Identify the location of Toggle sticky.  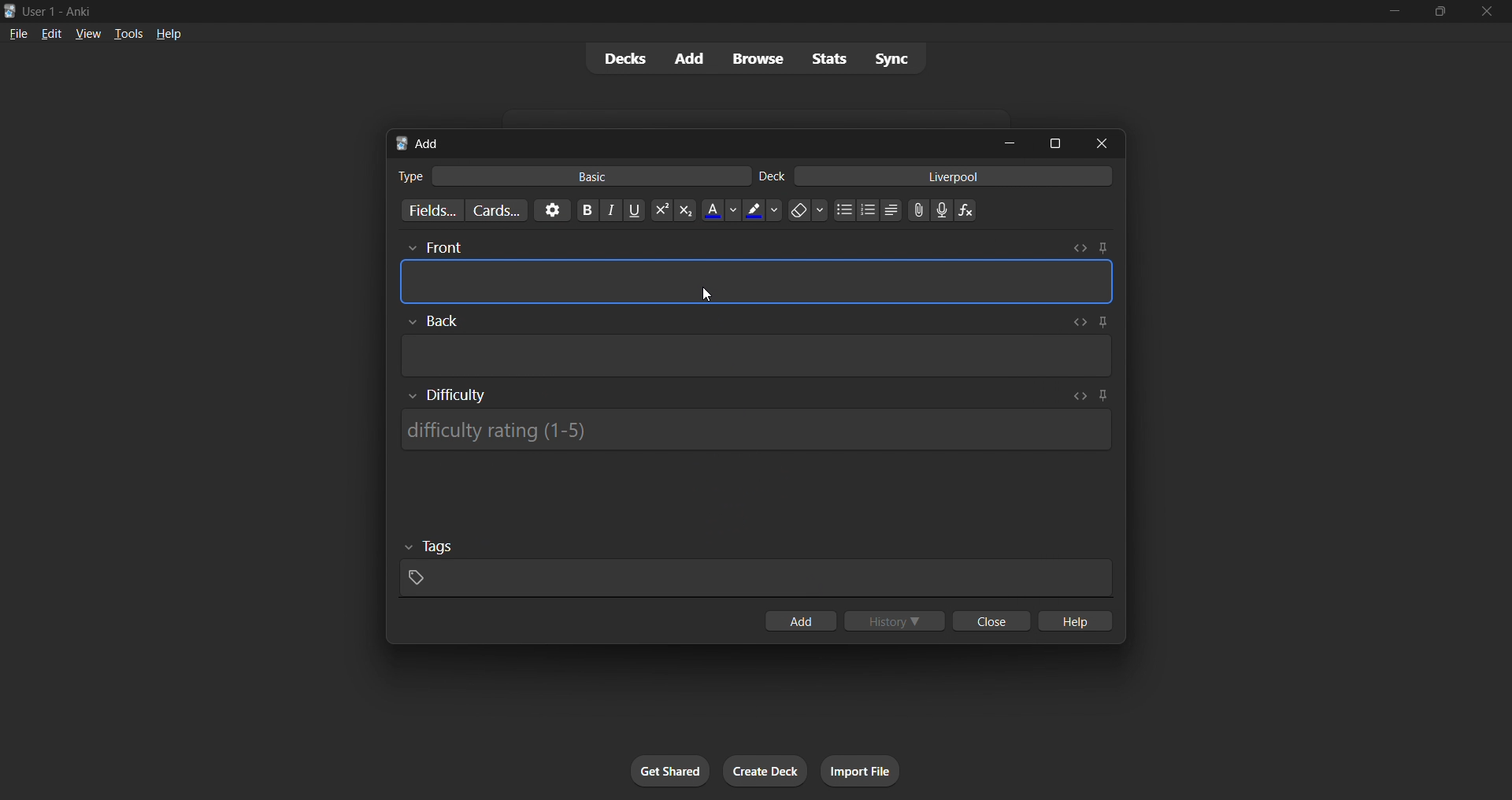
(1100, 324).